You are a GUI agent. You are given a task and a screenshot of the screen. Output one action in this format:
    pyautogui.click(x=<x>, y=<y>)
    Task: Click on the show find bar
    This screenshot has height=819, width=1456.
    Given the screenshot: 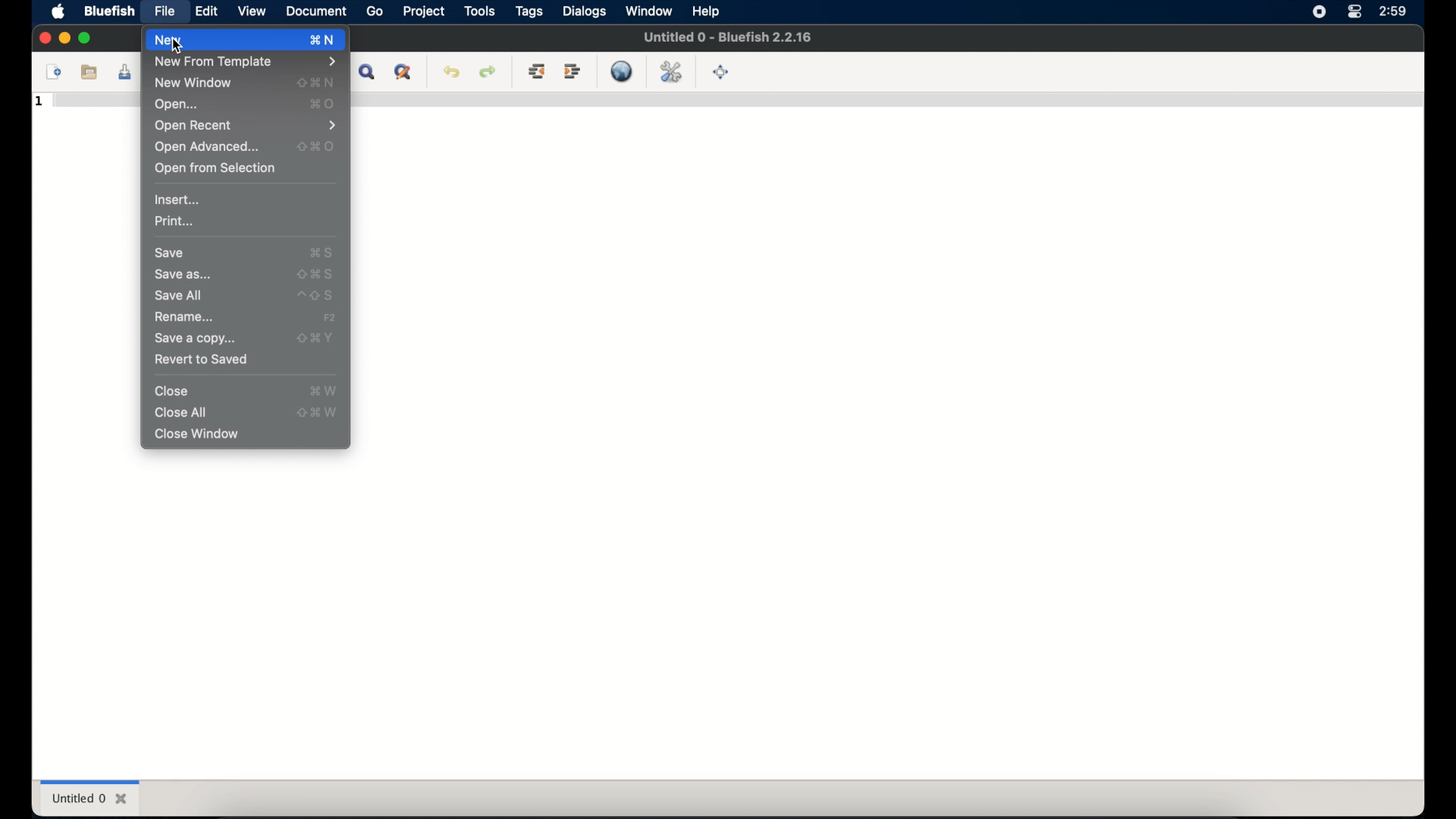 What is the action you would take?
    pyautogui.click(x=367, y=73)
    